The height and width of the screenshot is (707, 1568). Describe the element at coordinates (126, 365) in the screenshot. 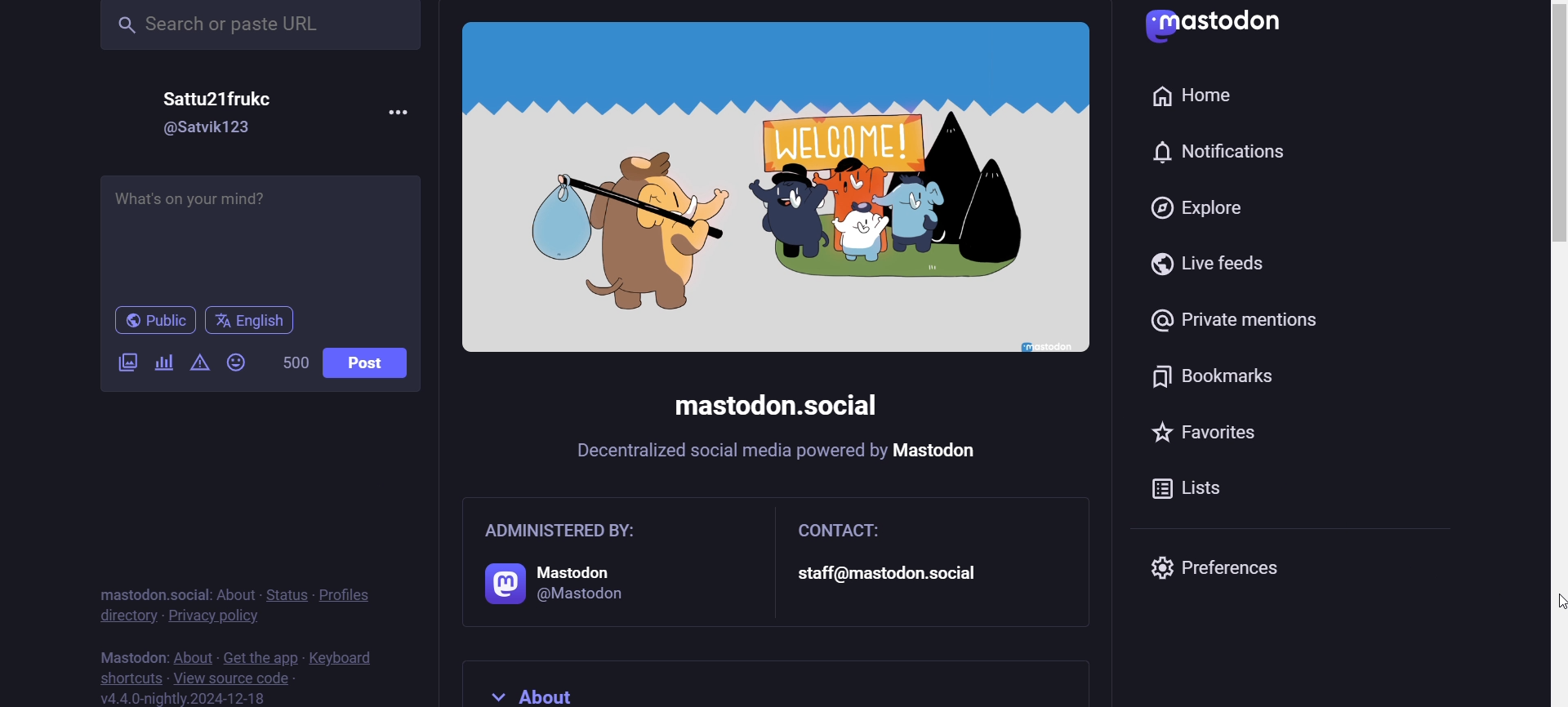

I see `image/video` at that location.